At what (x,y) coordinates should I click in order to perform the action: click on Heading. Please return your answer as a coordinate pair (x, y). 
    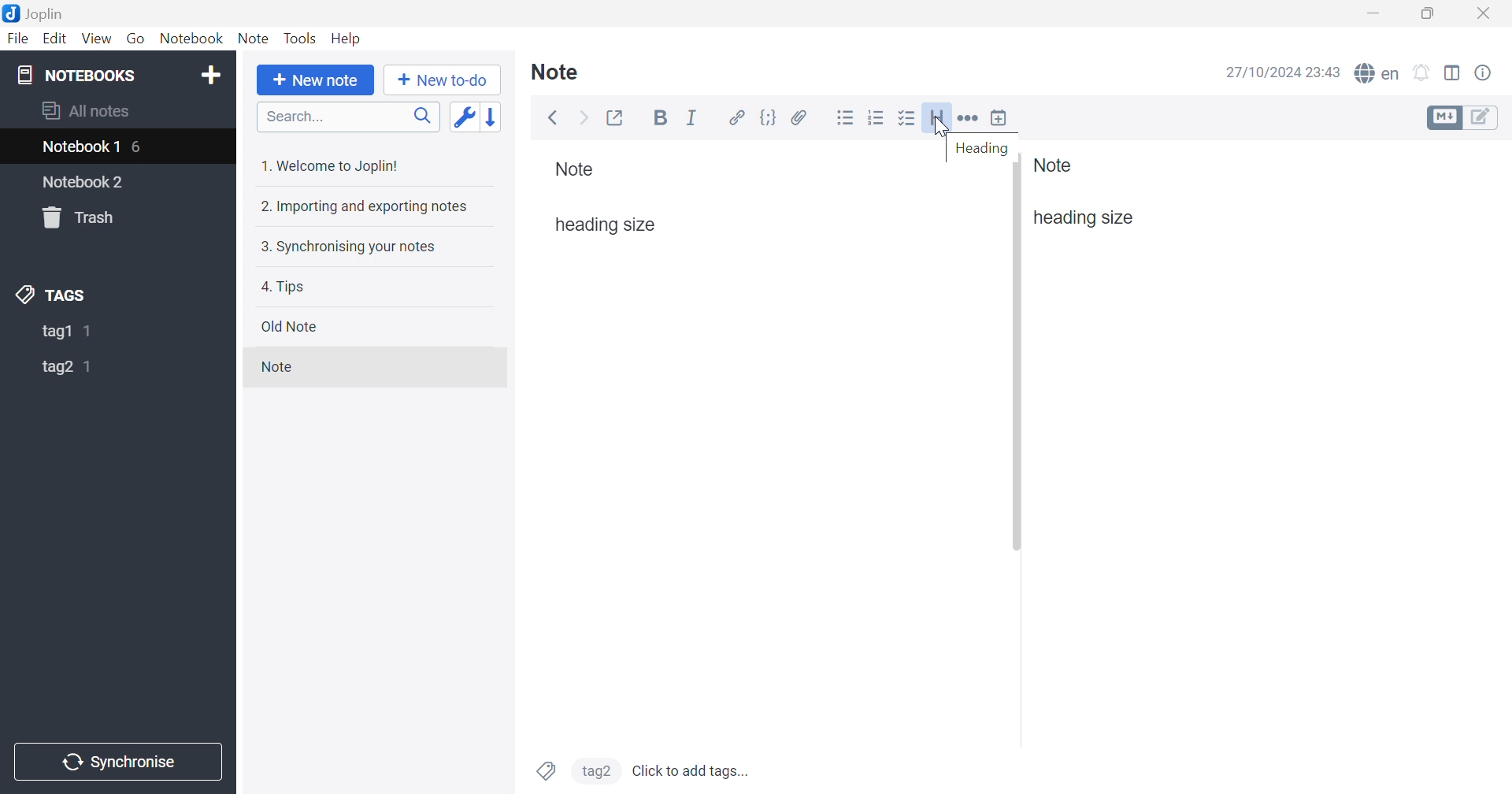
    Looking at the image, I should click on (981, 150).